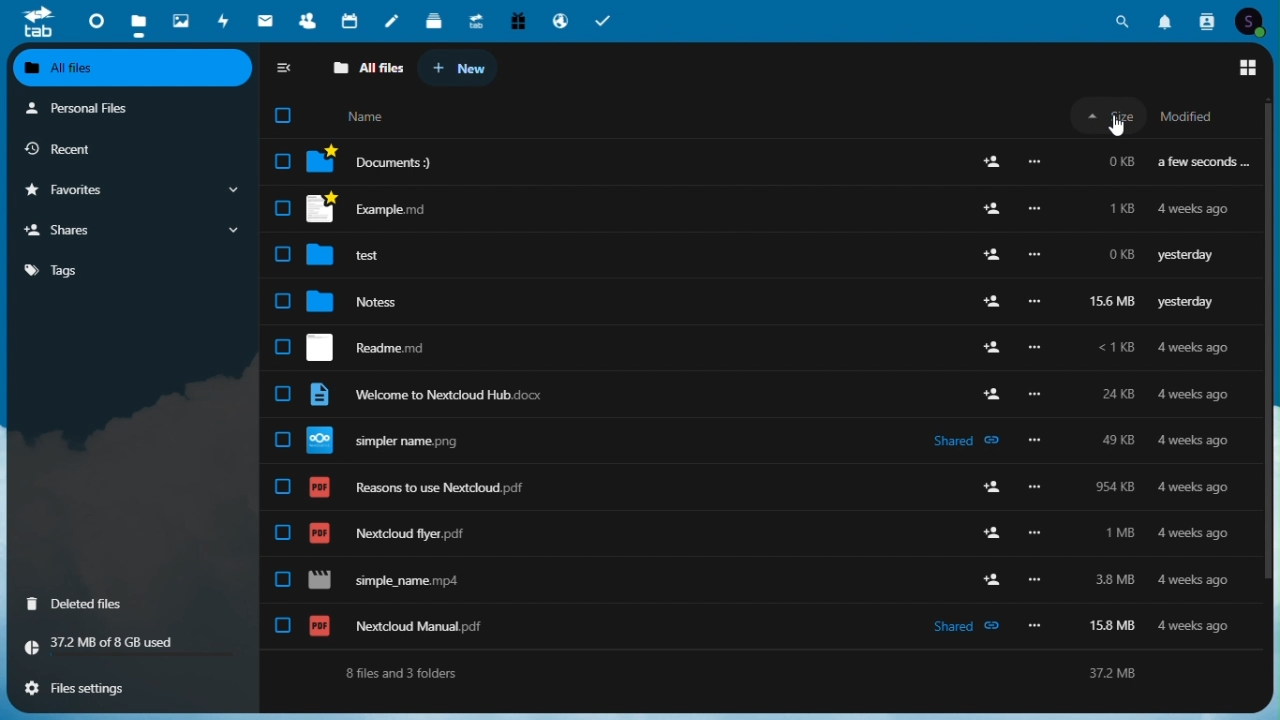 This screenshot has height=720, width=1280. I want to click on personal files, so click(133, 108).